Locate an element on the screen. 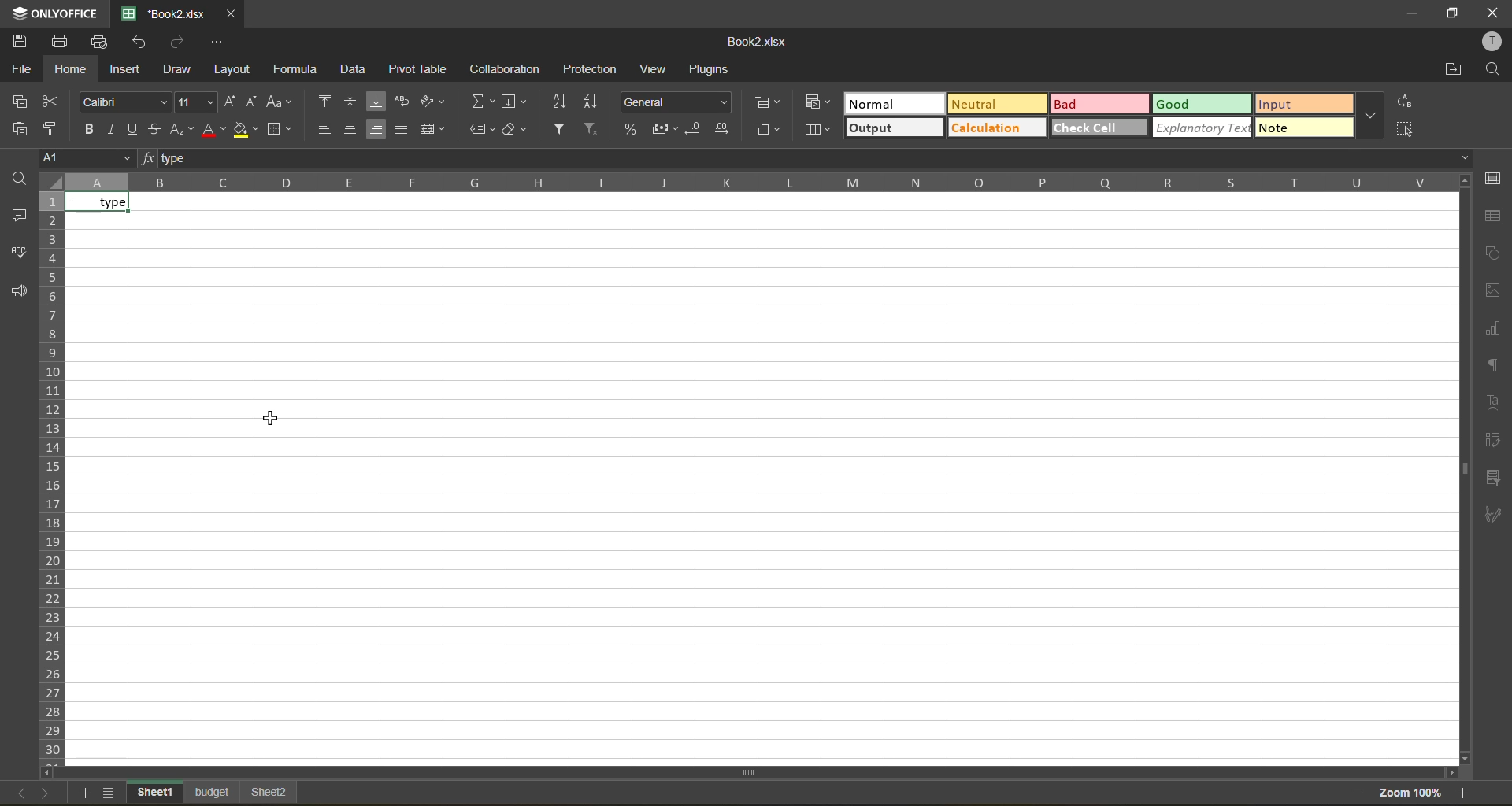 The height and width of the screenshot is (806, 1512). copy style is located at coordinates (57, 129).